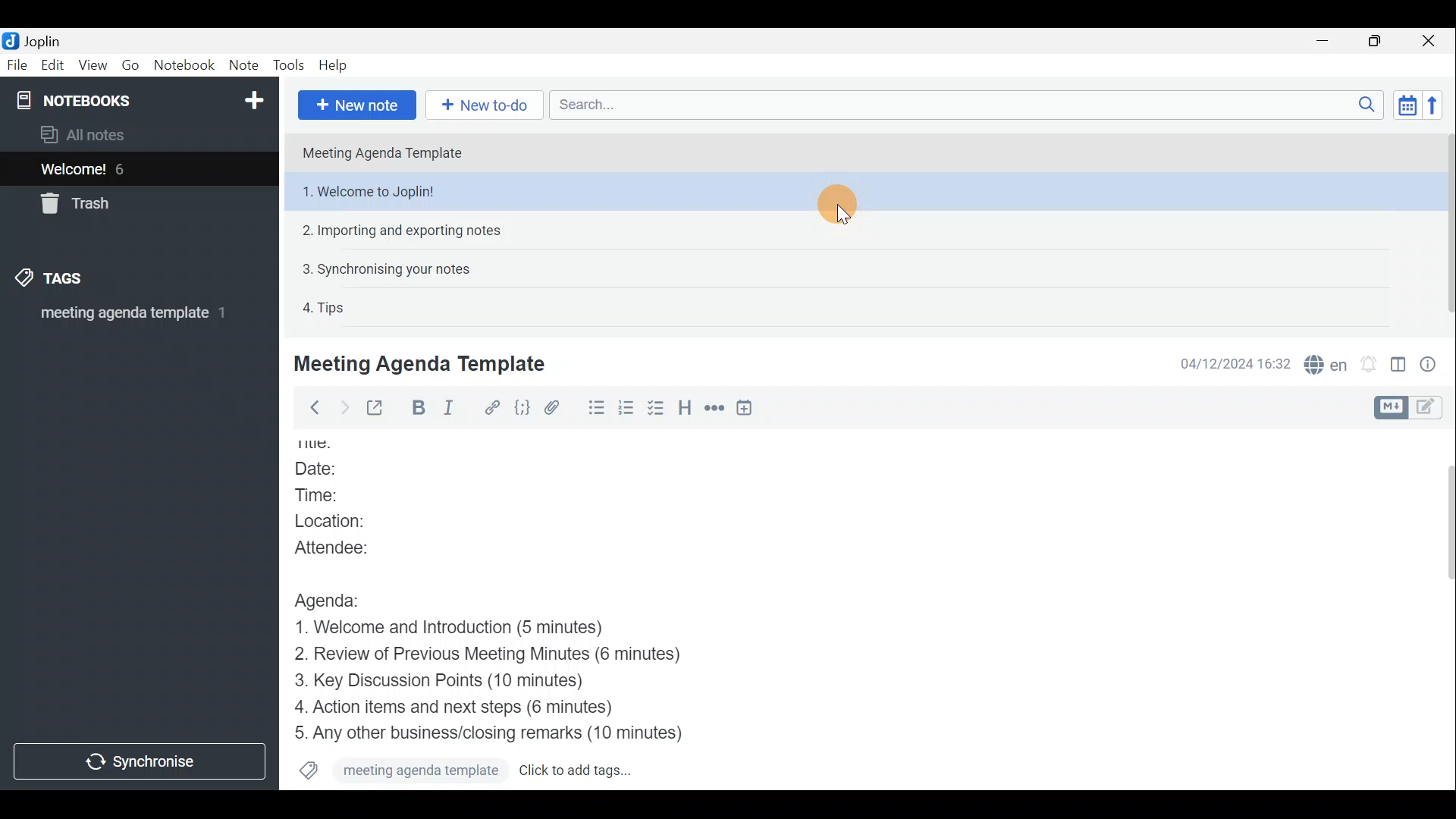 Image resolution: width=1456 pixels, height=819 pixels. What do you see at coordinates (286, 63) in the screenshot?
I see `Tools` at bounding box center [286, 63].